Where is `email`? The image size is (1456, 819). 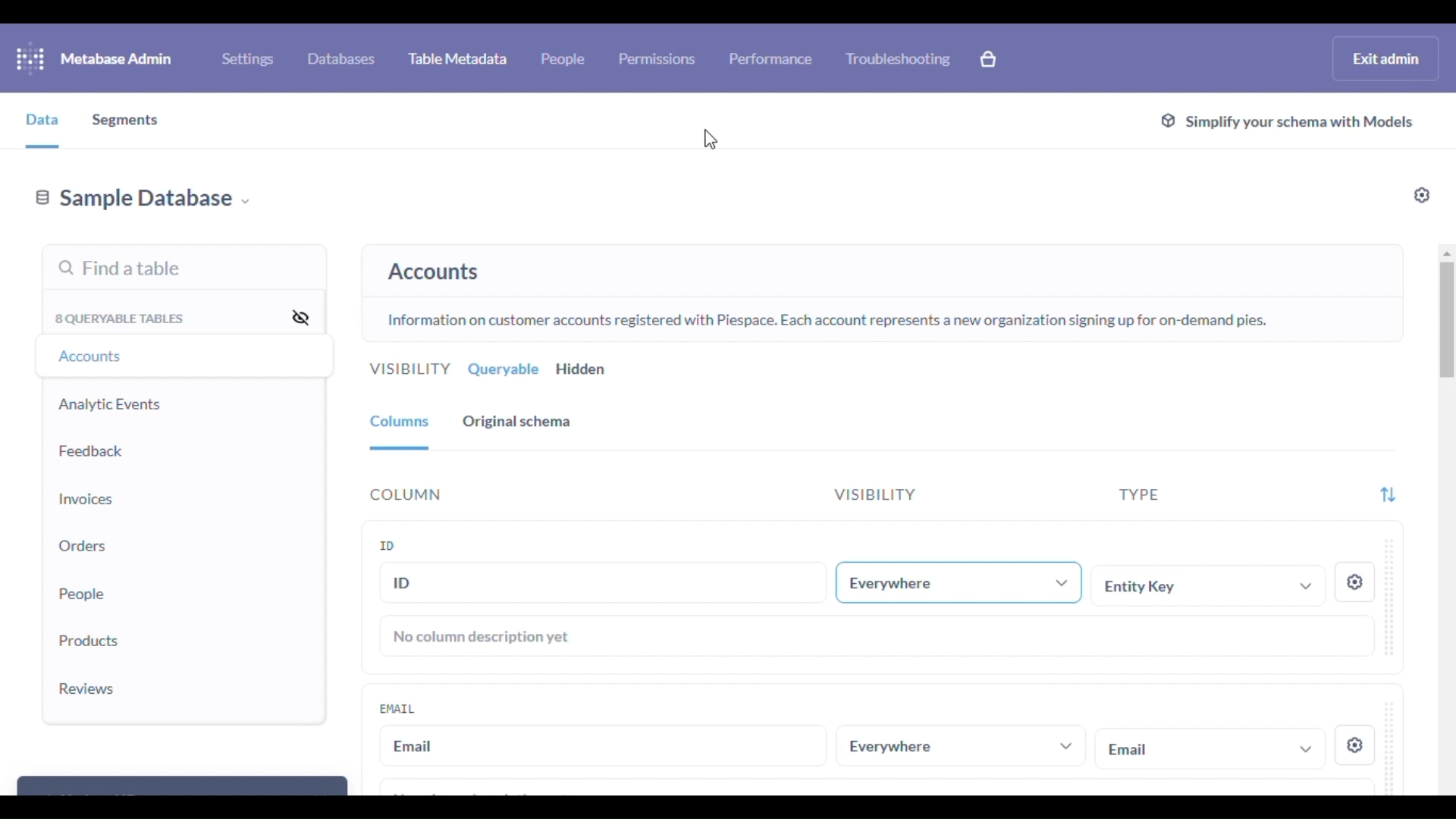 email is located at coordinates (397, 708).